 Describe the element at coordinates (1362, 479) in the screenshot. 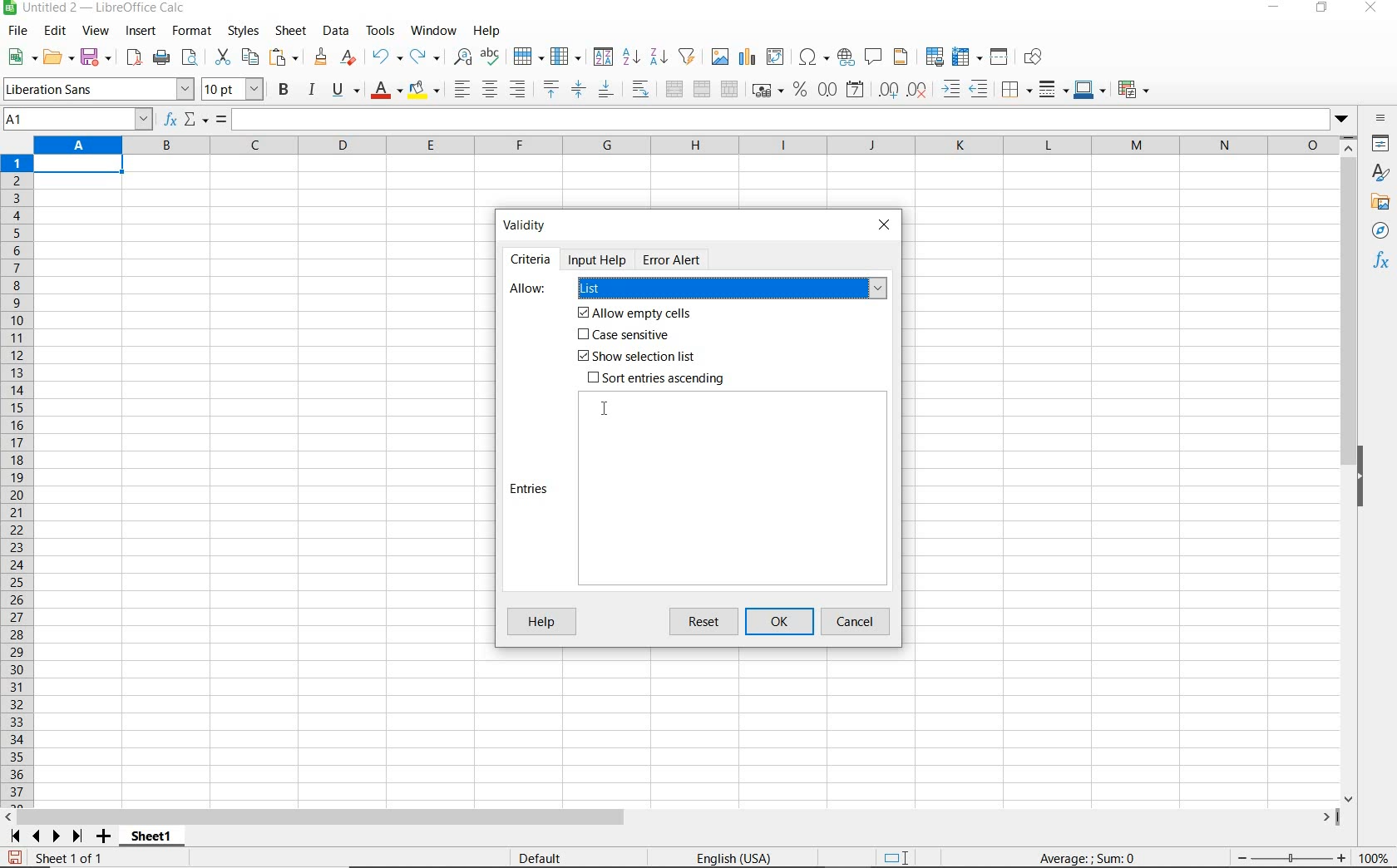

I see `hide` at that location.